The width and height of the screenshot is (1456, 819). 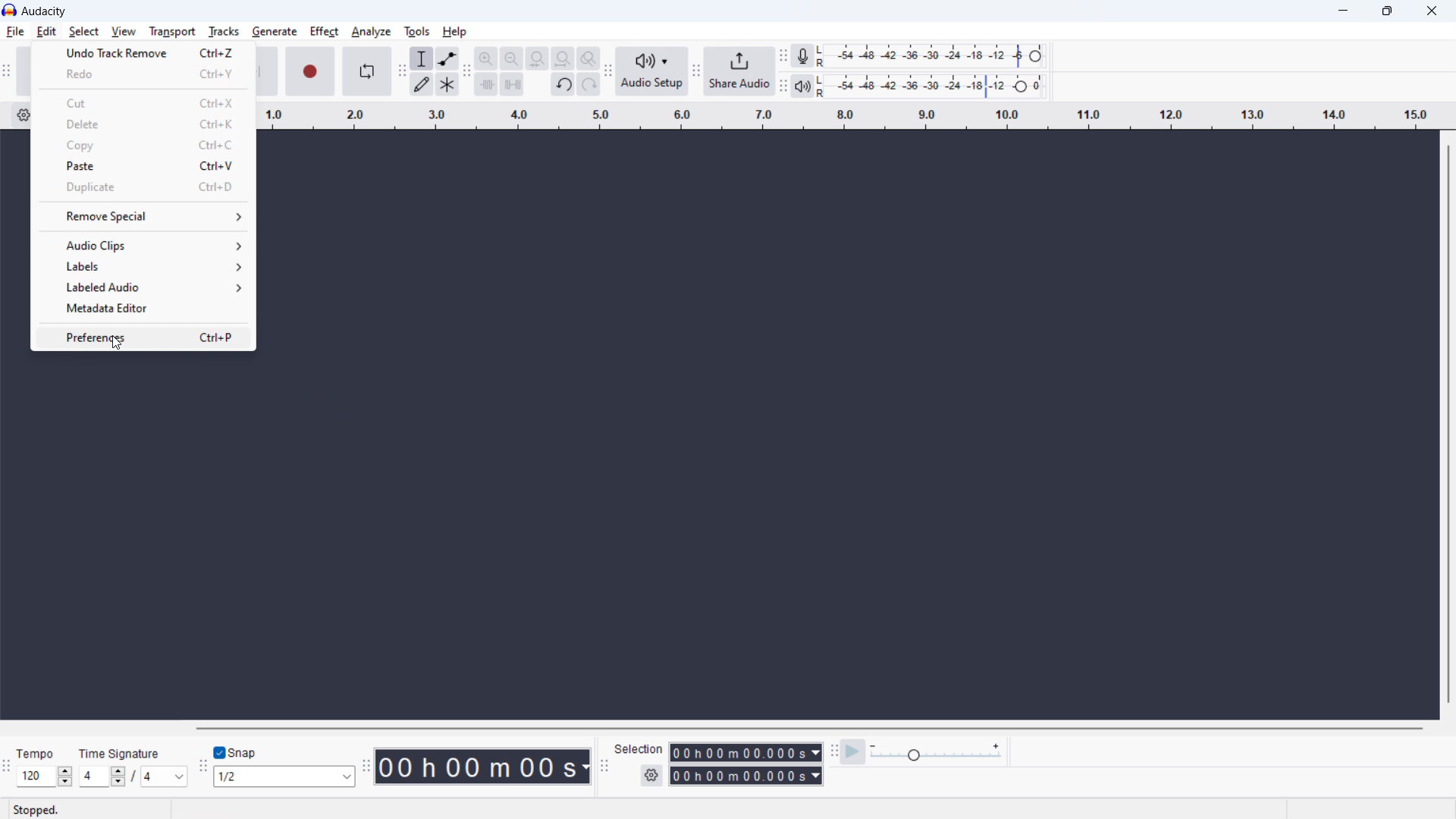 What do you see at coordinates (929, 85) in the screenshot?
I see `playback level` at bounding box center [929, 85].